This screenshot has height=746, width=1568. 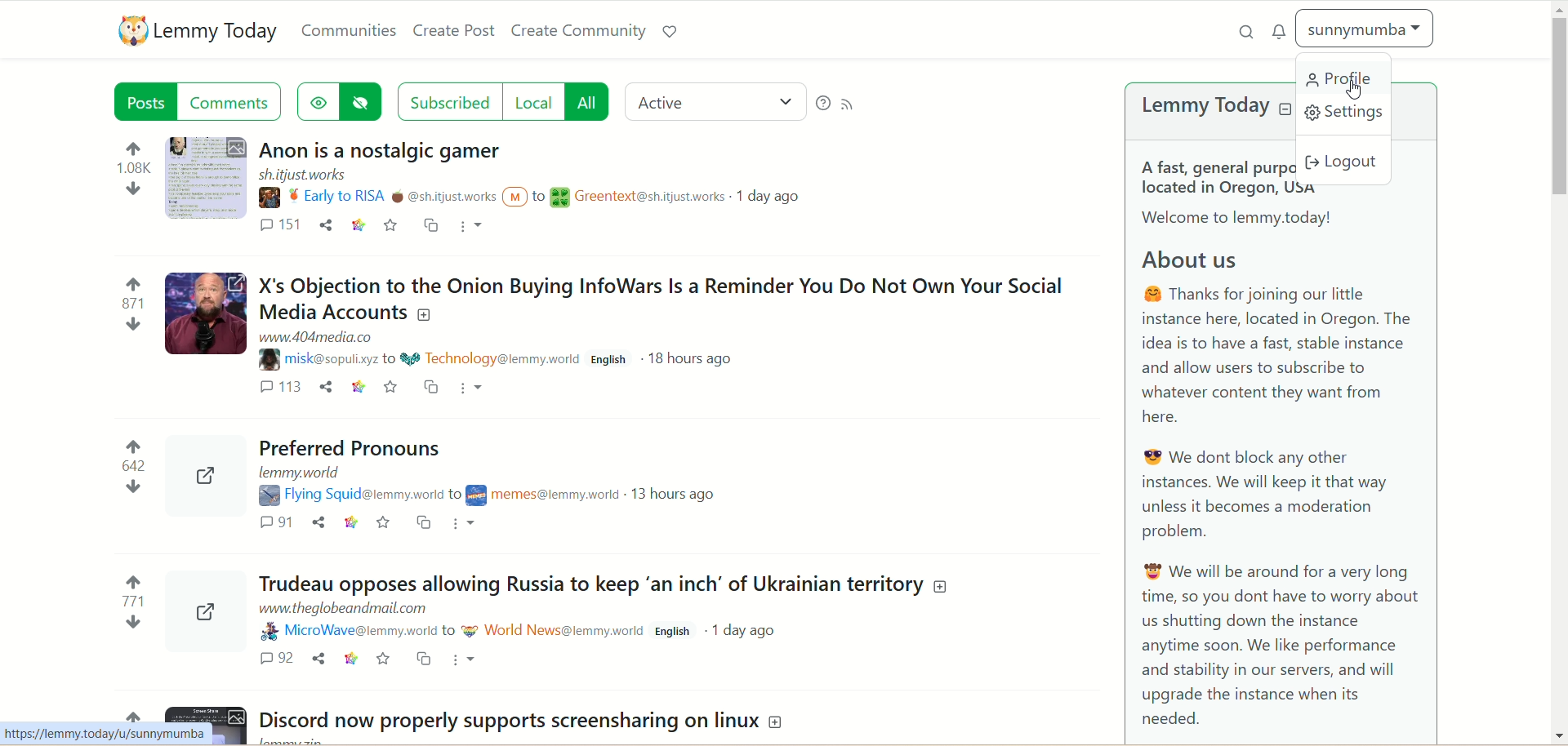 What do you see at coordinates (394, 388) in the screenshot?
I see `Favorite` at bounding box center [394, 388].